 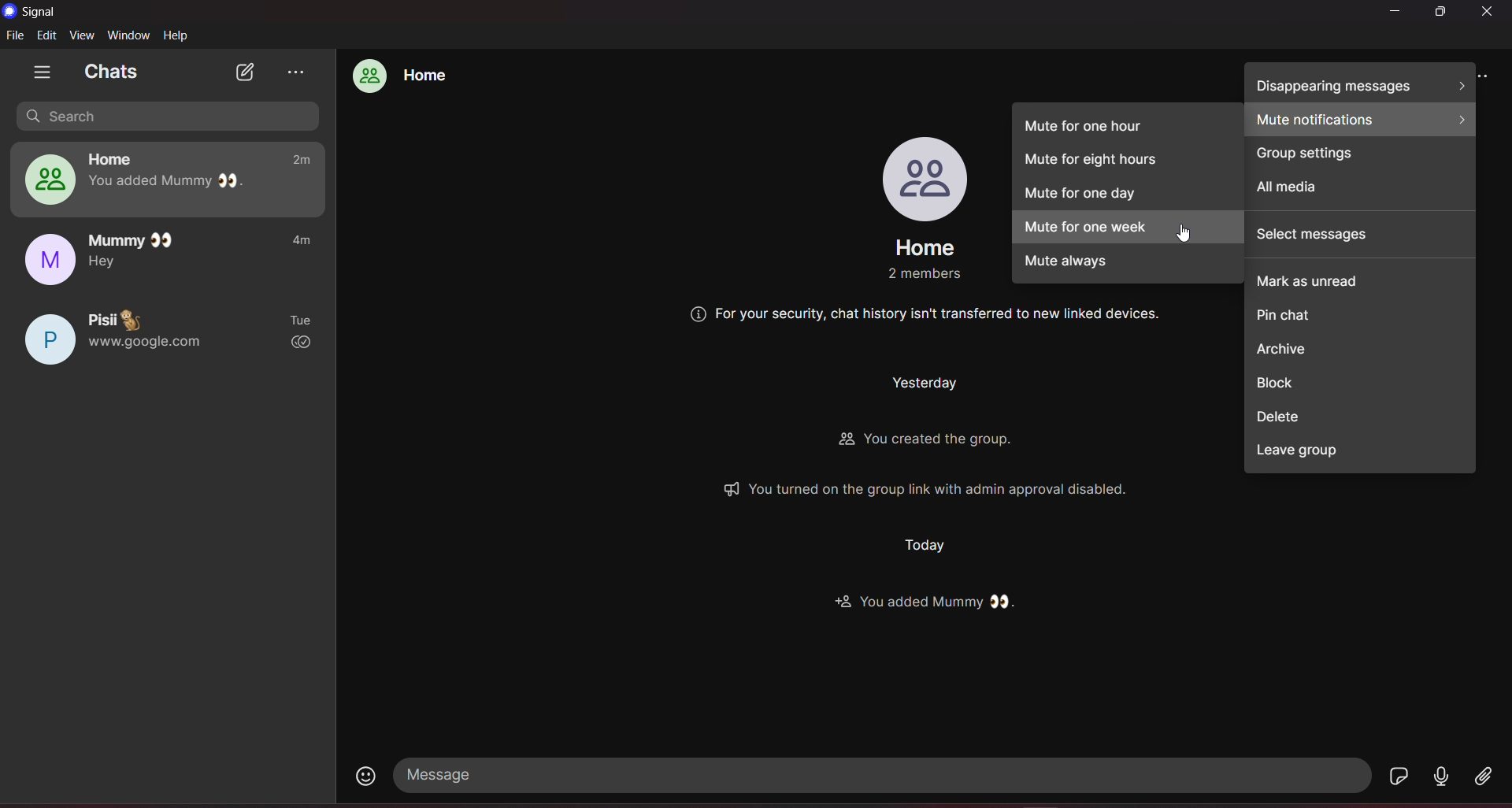 I want to click on home group chat, so click(x=403, y=75).